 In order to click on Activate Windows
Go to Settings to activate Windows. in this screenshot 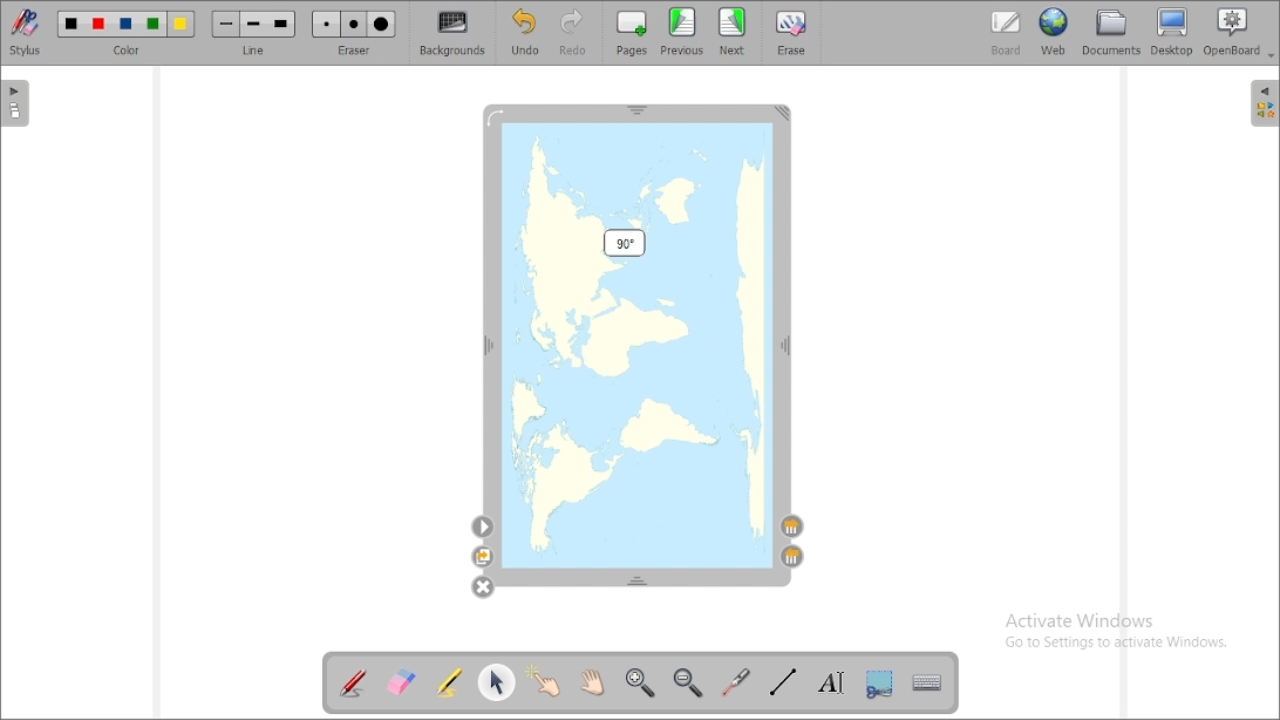, I will do `click(1116, 630)`.